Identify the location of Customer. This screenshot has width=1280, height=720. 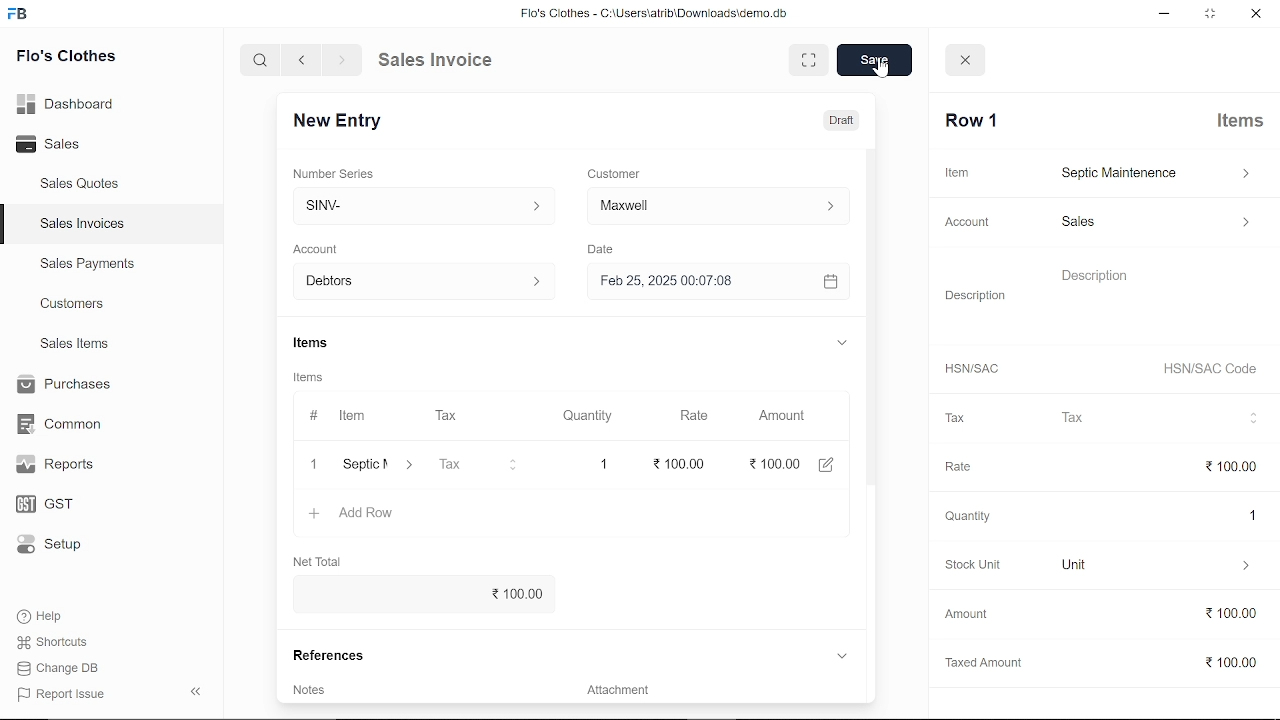
(615, 172).